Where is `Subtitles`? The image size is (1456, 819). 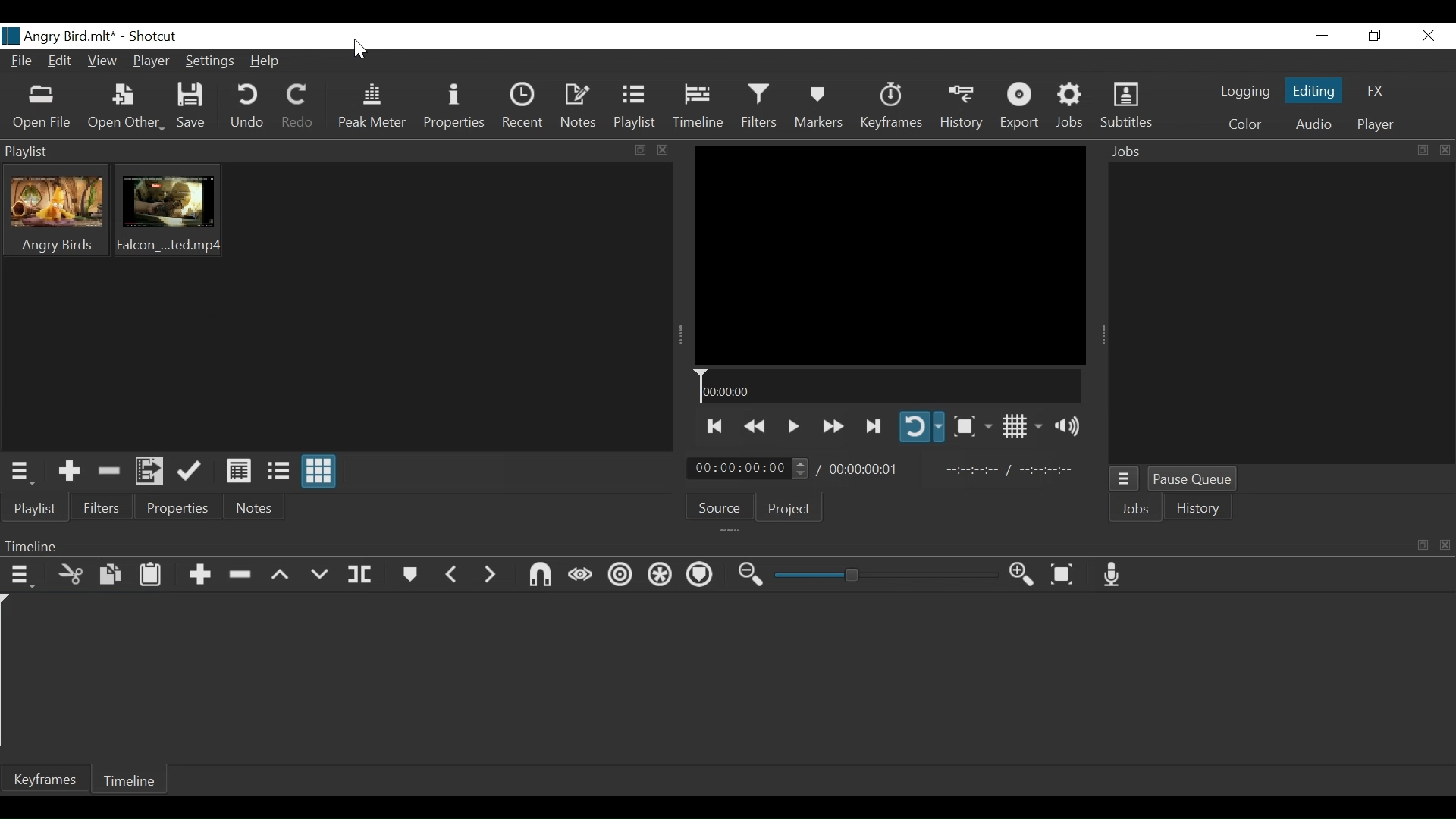
Subtitles is located at coordinates (1127, 107).